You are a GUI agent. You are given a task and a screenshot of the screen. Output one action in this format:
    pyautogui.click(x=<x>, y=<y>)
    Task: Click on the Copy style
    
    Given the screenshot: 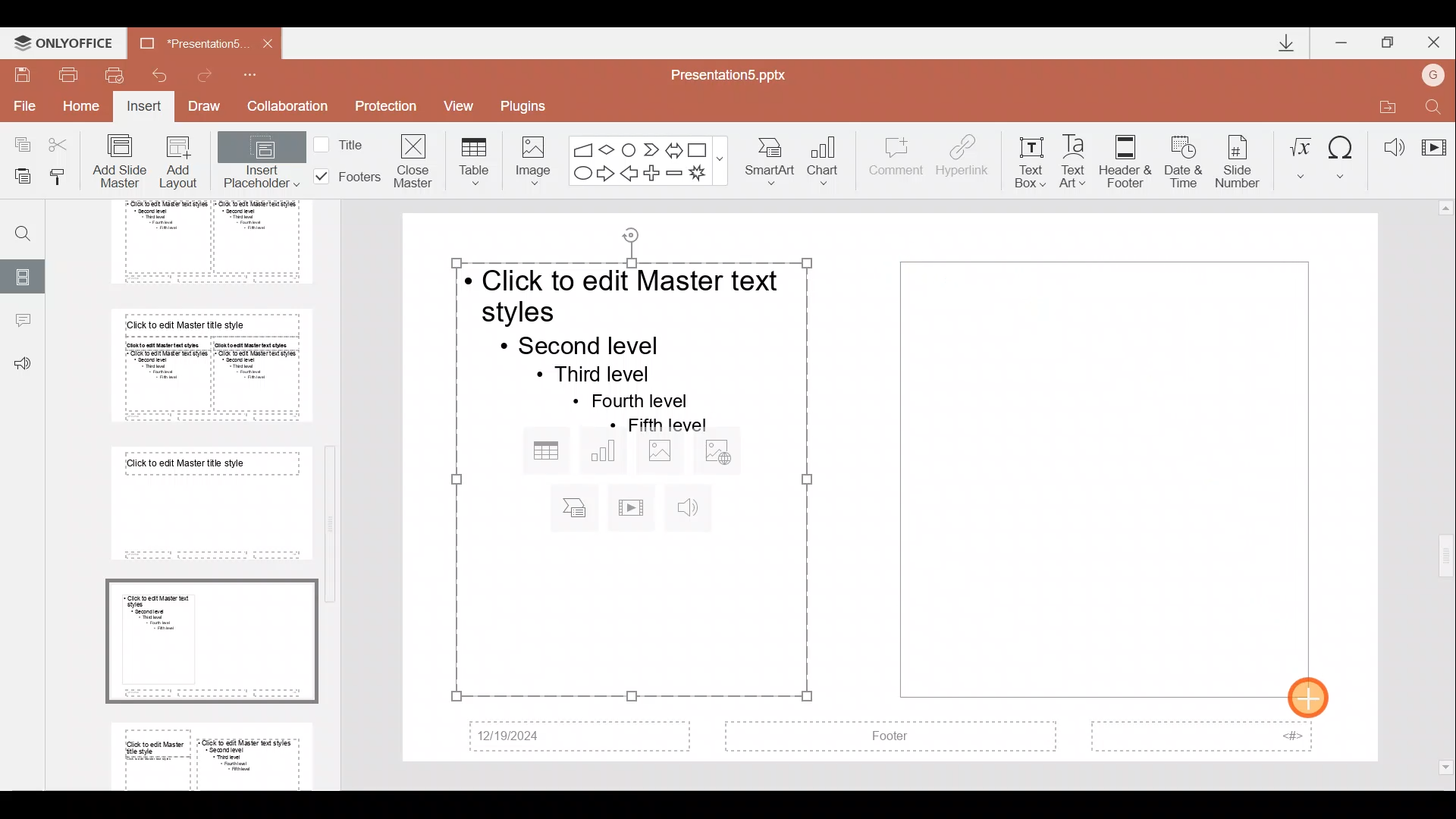 What is the action you would take?
    pyautogui.click(x=64, y=176)
    